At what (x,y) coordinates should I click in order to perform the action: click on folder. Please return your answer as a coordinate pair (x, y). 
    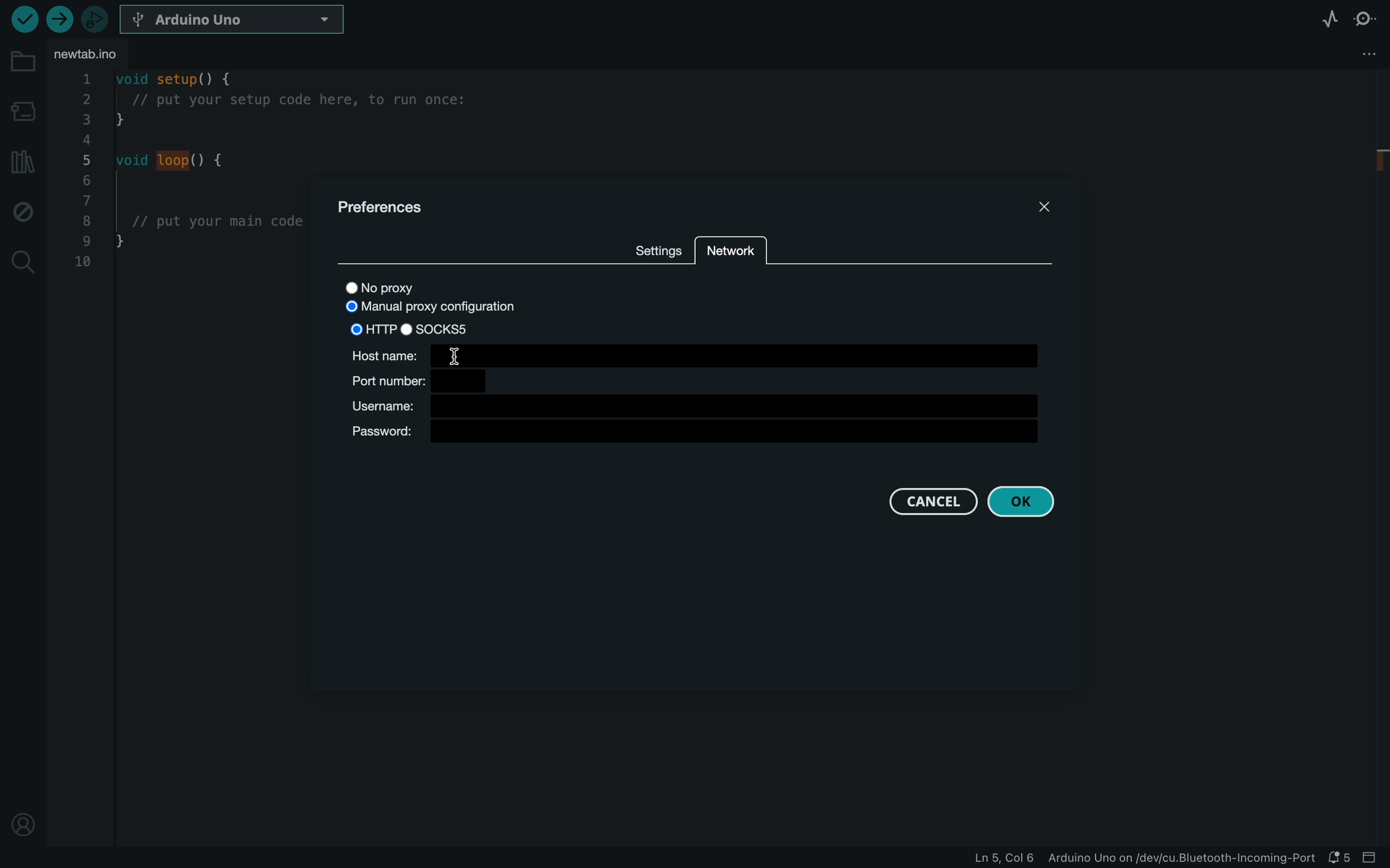
    Looking at the image, I should click on (22, 61).